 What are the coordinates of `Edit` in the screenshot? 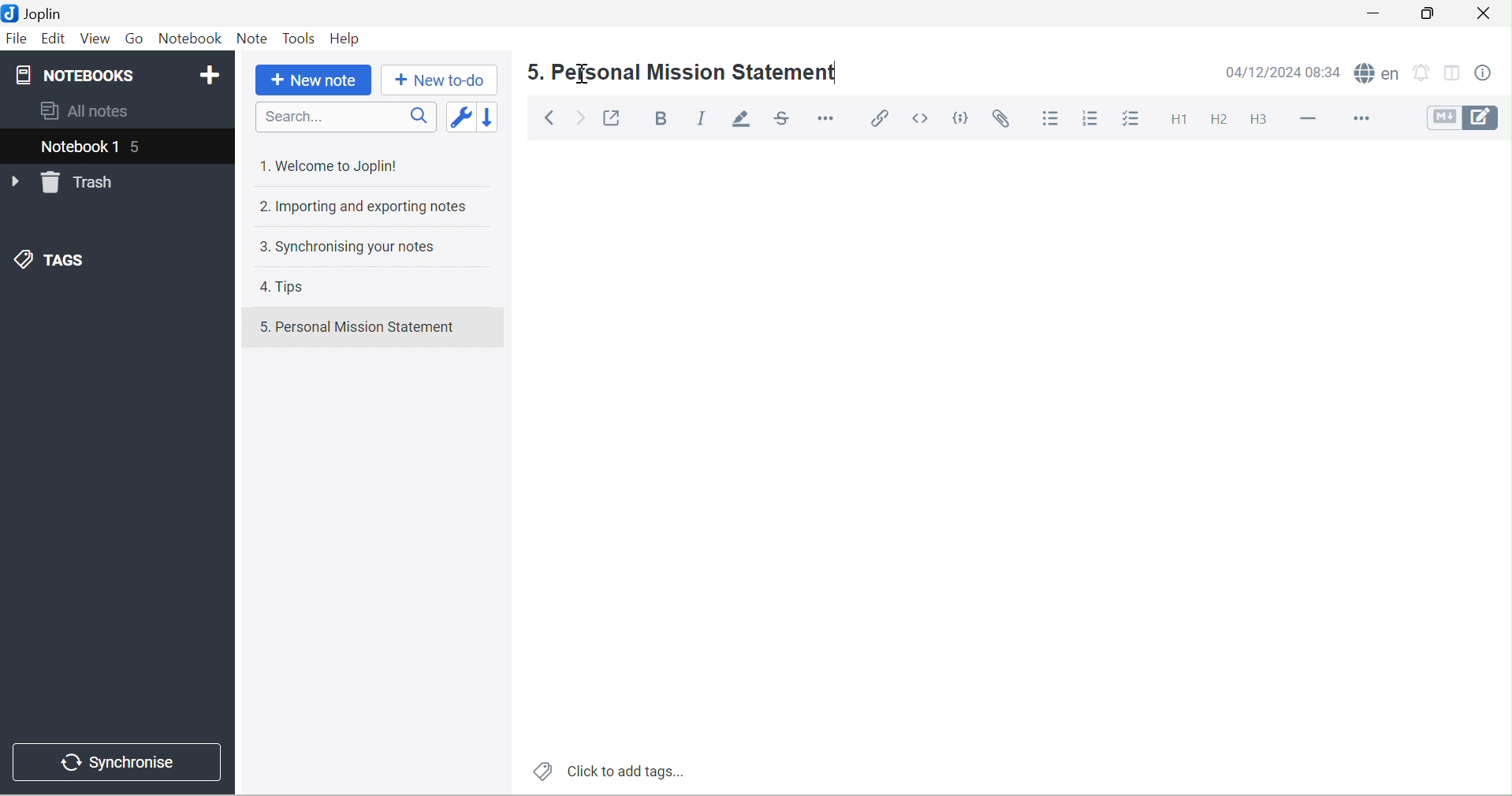 It's located at (54, 39).